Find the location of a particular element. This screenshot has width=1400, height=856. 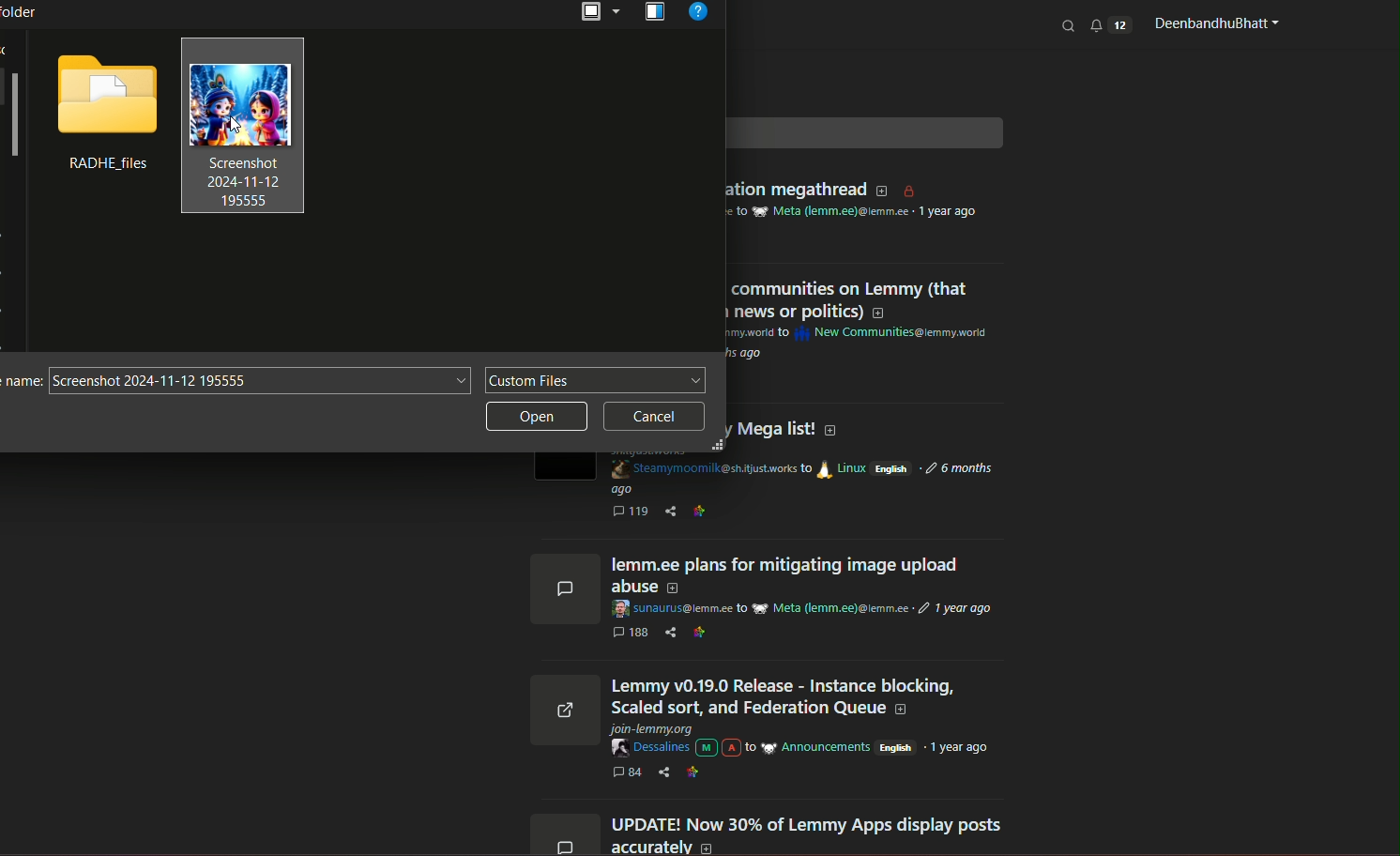

filename is located at coordinates (259, 382).